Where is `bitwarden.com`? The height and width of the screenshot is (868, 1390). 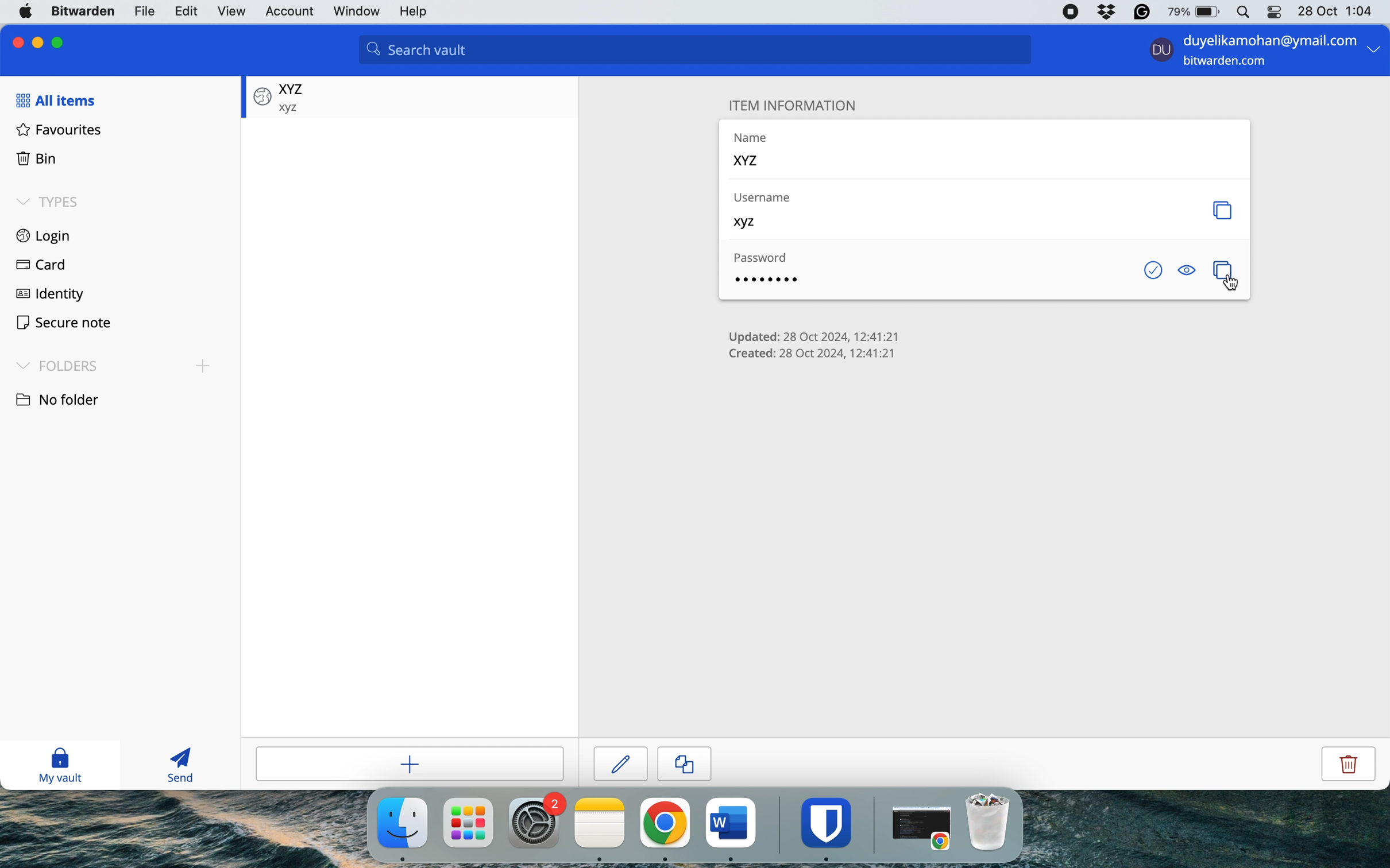
bitwarden.com is located at coordinates (1229, 63).